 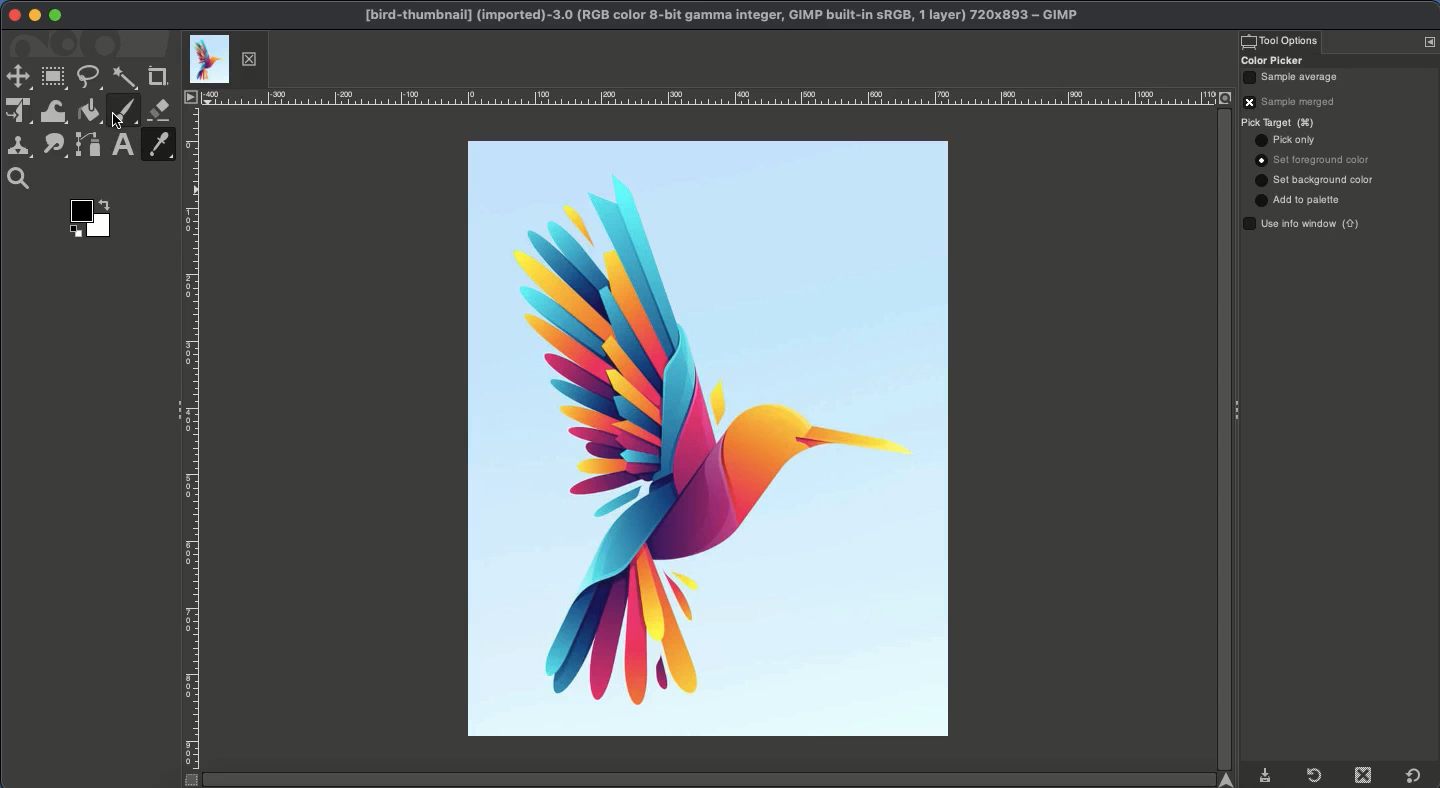 What do you see at coordinates (1299, 200) in the screenshot?
I see `Add to palette` at bounding box center [1299, 200].